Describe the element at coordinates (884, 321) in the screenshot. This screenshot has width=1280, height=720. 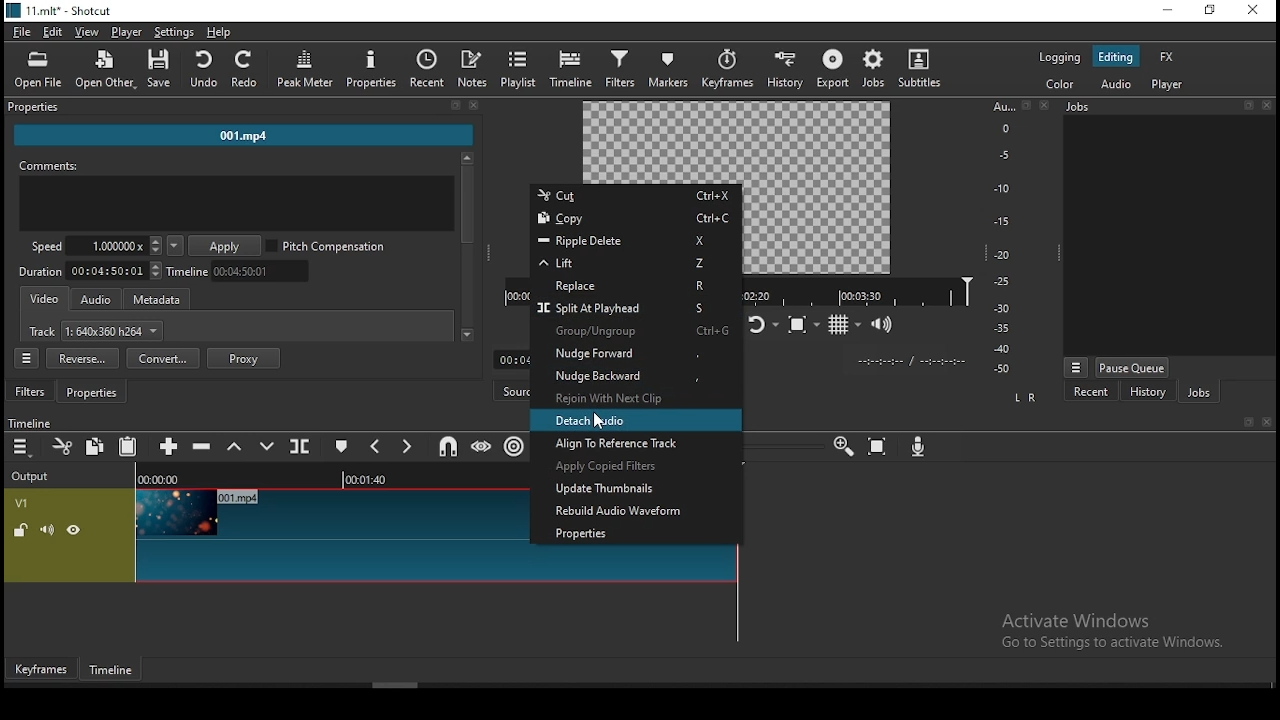
I see `show volume control` at that location.